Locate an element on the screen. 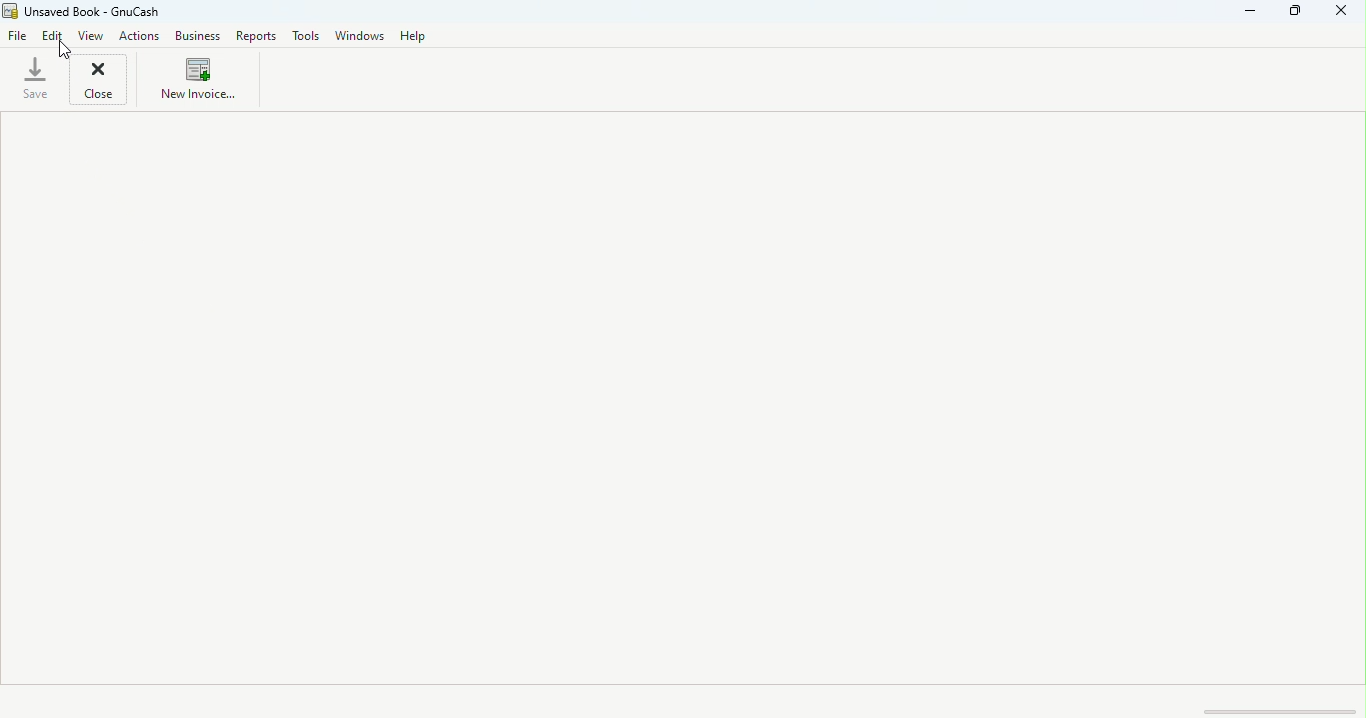 The image size is (1366, 718). Tools is located at coordinates (306, 35).